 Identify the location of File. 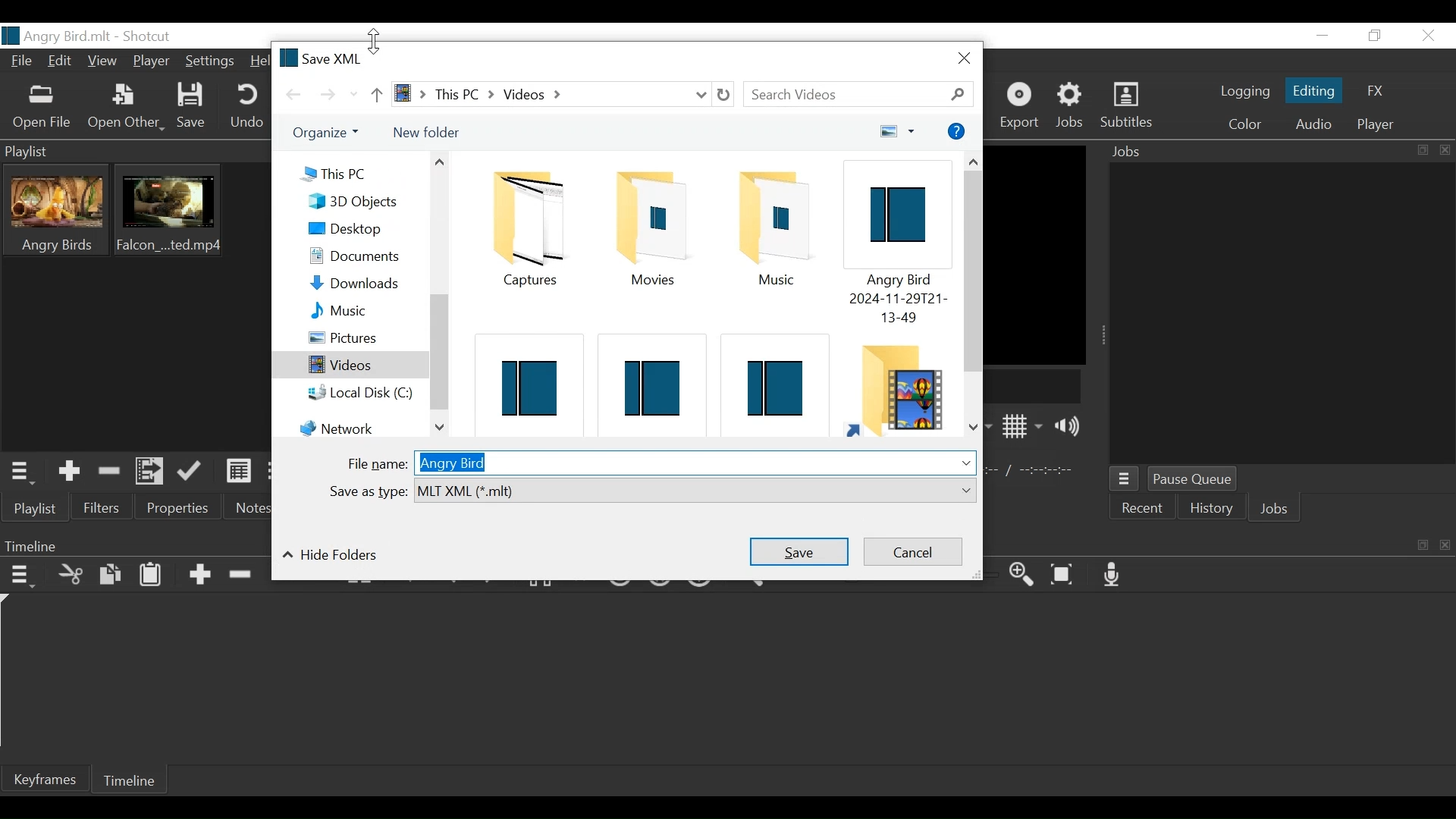
(22, 63).